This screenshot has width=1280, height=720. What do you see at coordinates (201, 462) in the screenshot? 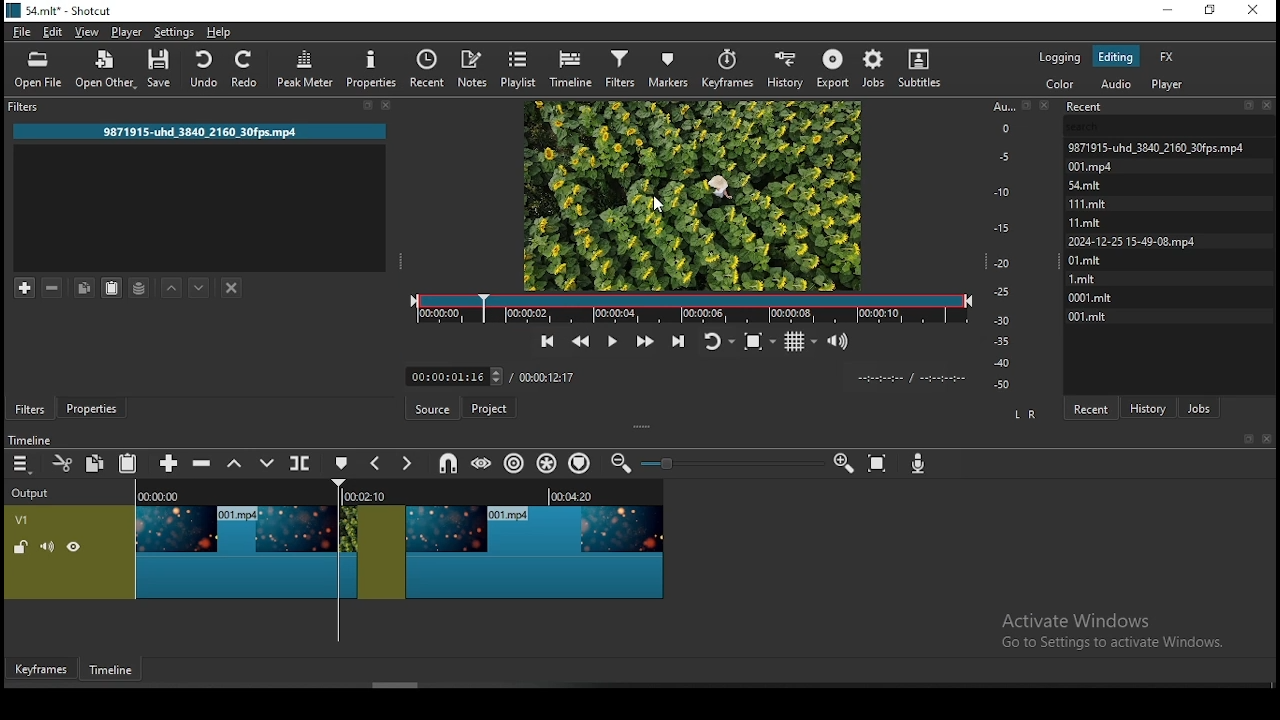
I see `ripple delete` at bounding box center [201, 462].